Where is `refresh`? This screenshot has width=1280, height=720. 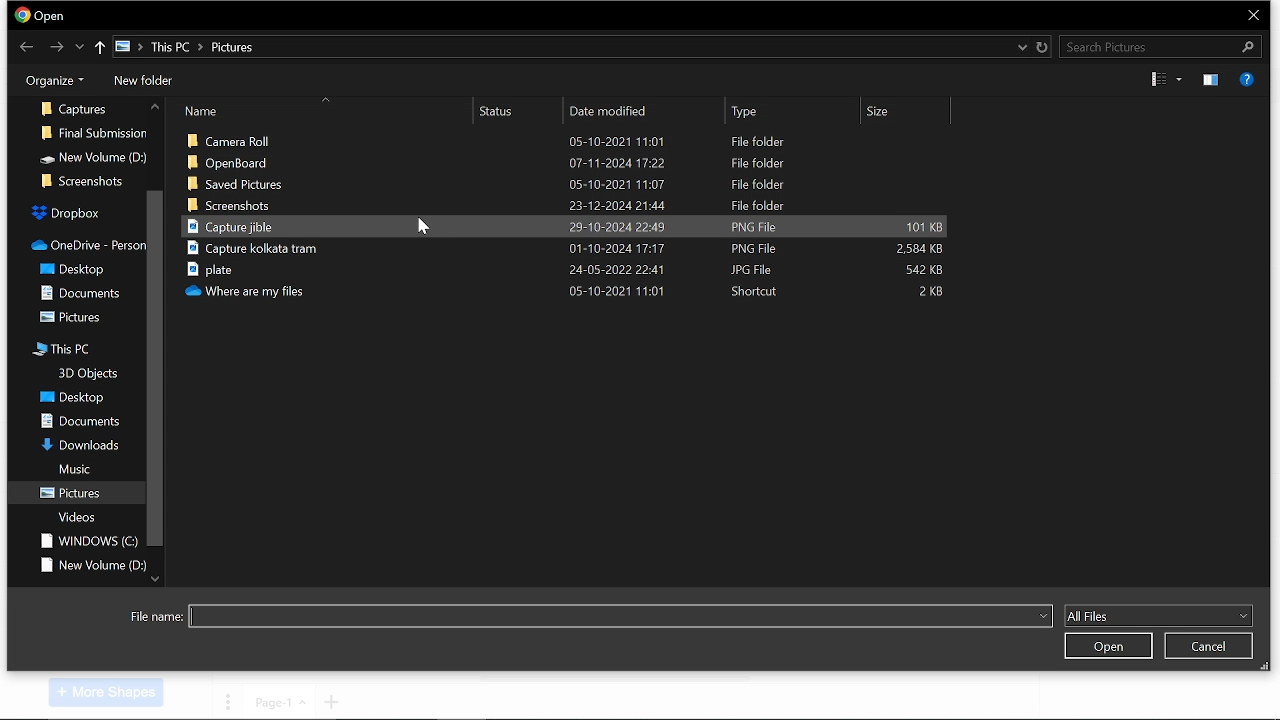 refresh is located at coordinates (1042, 46).